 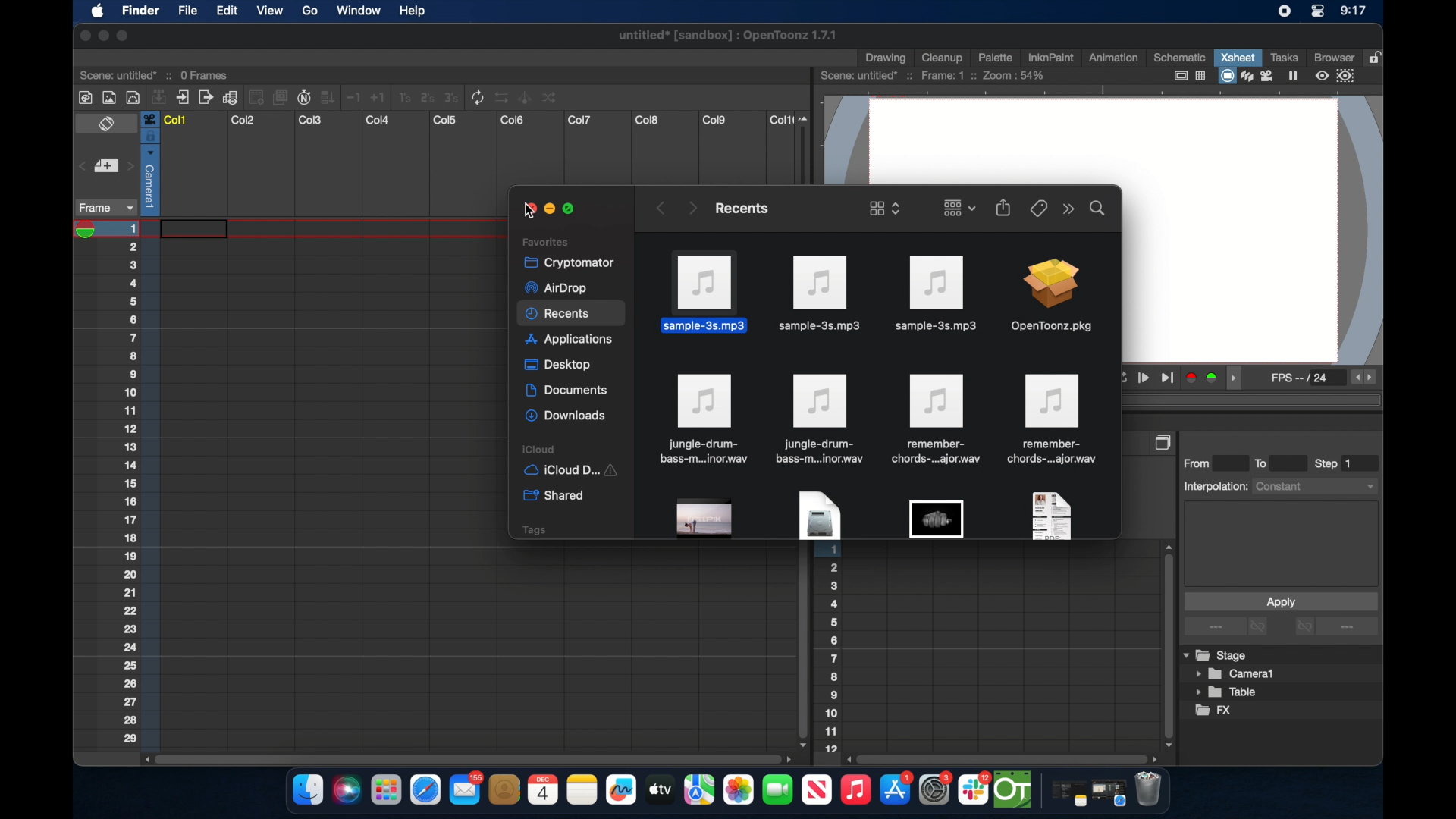 I want to click on more tools, so click(x=319, y=96).